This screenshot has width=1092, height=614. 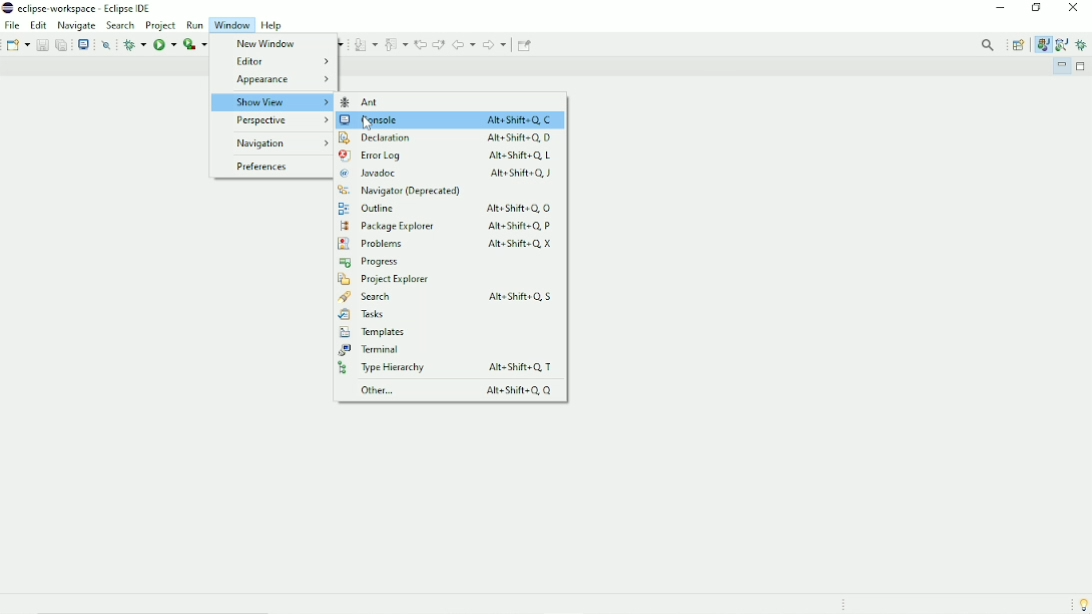 What do you see at coordinates (447, 174) in the screenshot?
I see `Javadoc` at bounding box center [447, 174].